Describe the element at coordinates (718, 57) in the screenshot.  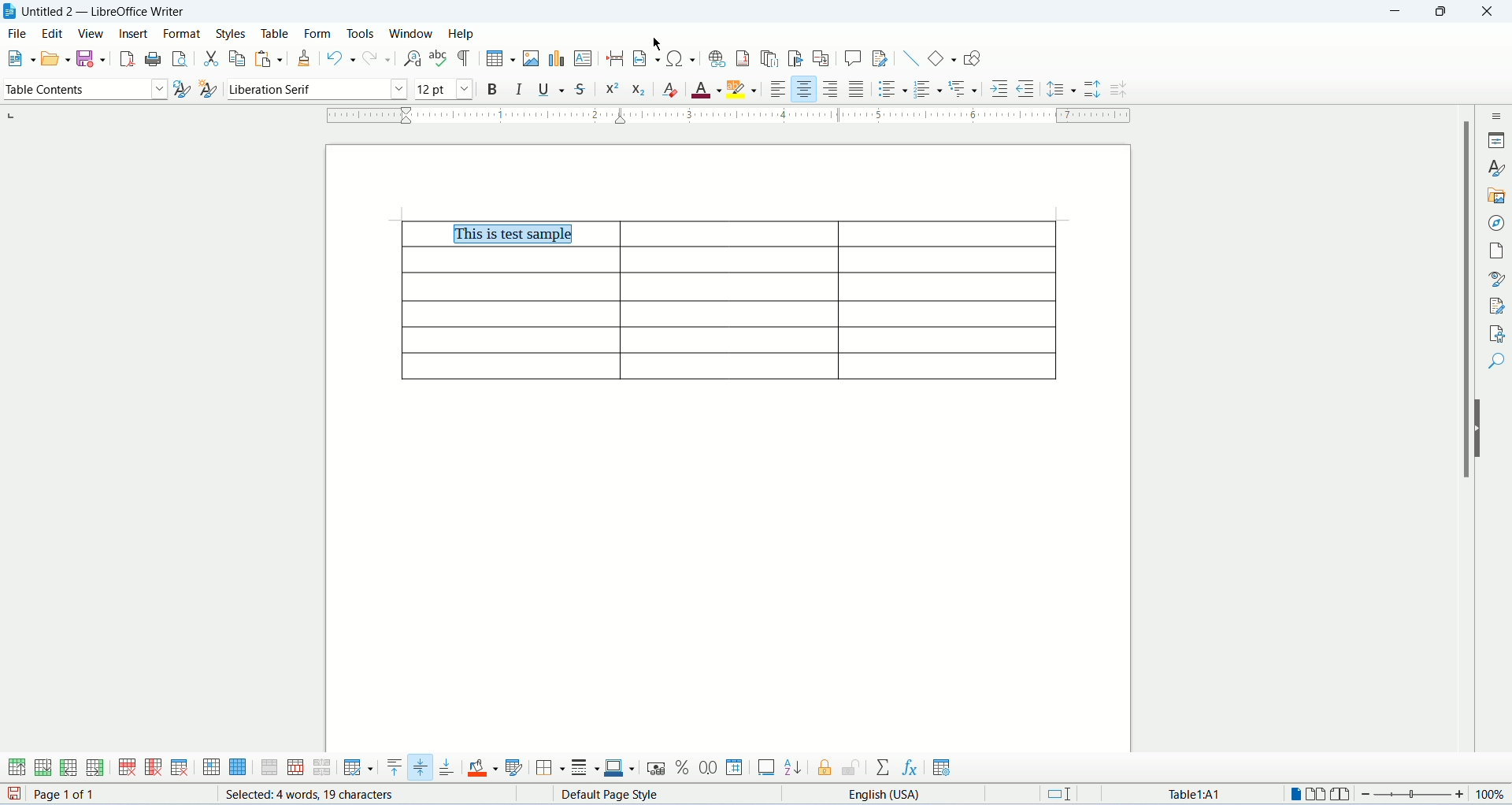
I see `insert hyperlink` at that location.